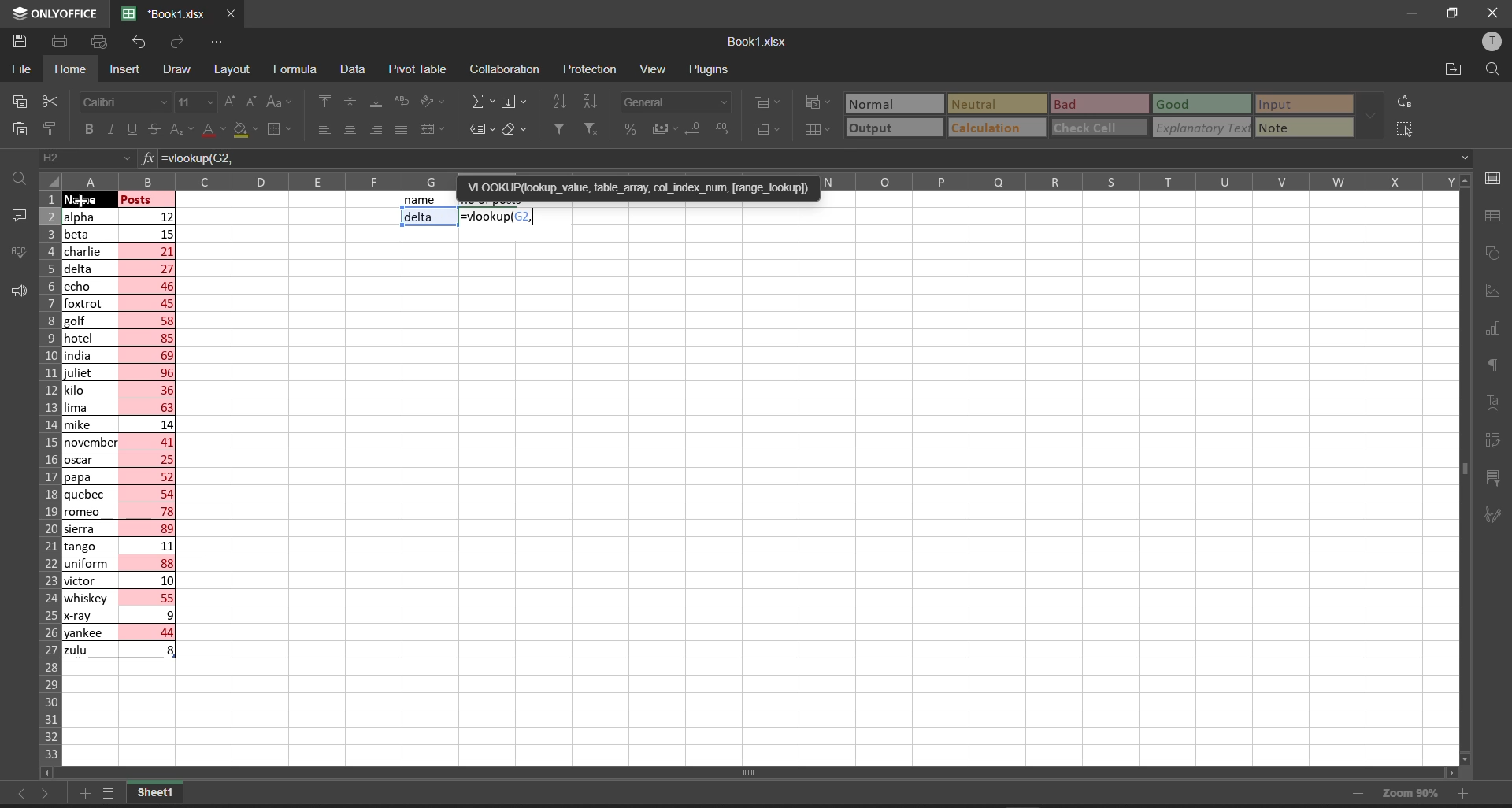 Image resolution: width=1512 pixels, height=808 pixels. I want to click on wrap text, so click(406, 103).